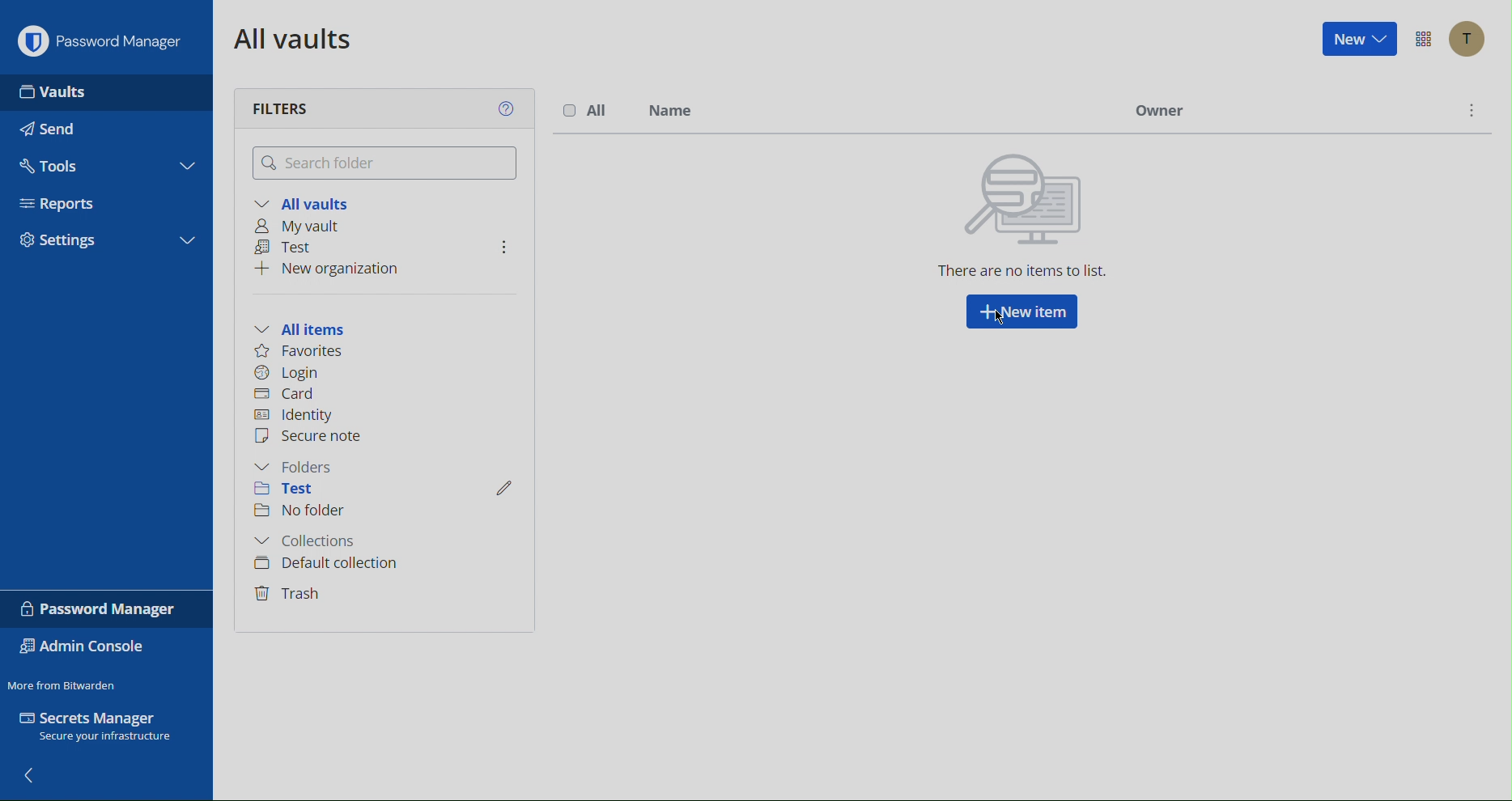  I want to click on New item, so click(1022, 315).